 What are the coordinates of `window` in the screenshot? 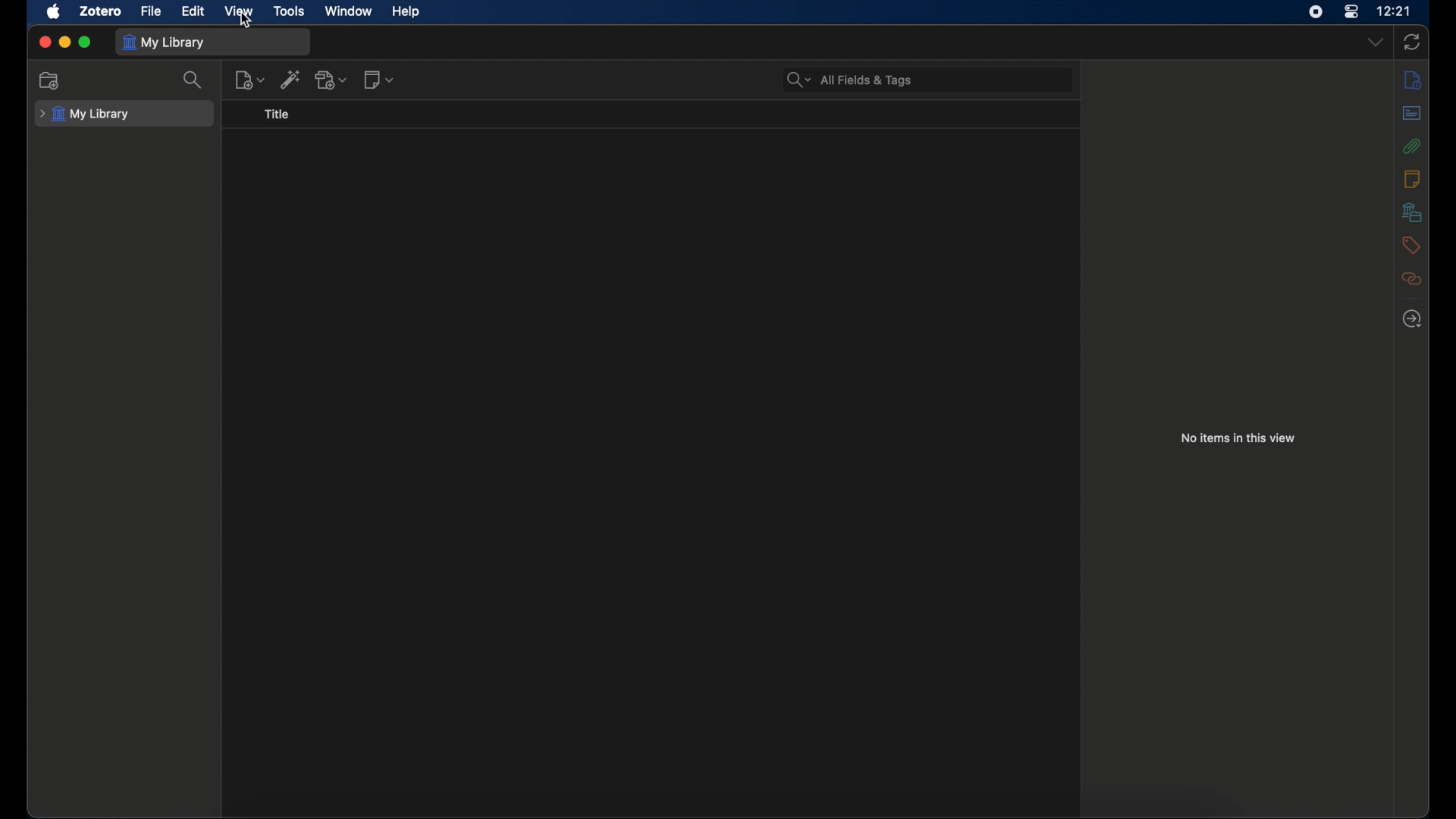 It's located at (349, 11).